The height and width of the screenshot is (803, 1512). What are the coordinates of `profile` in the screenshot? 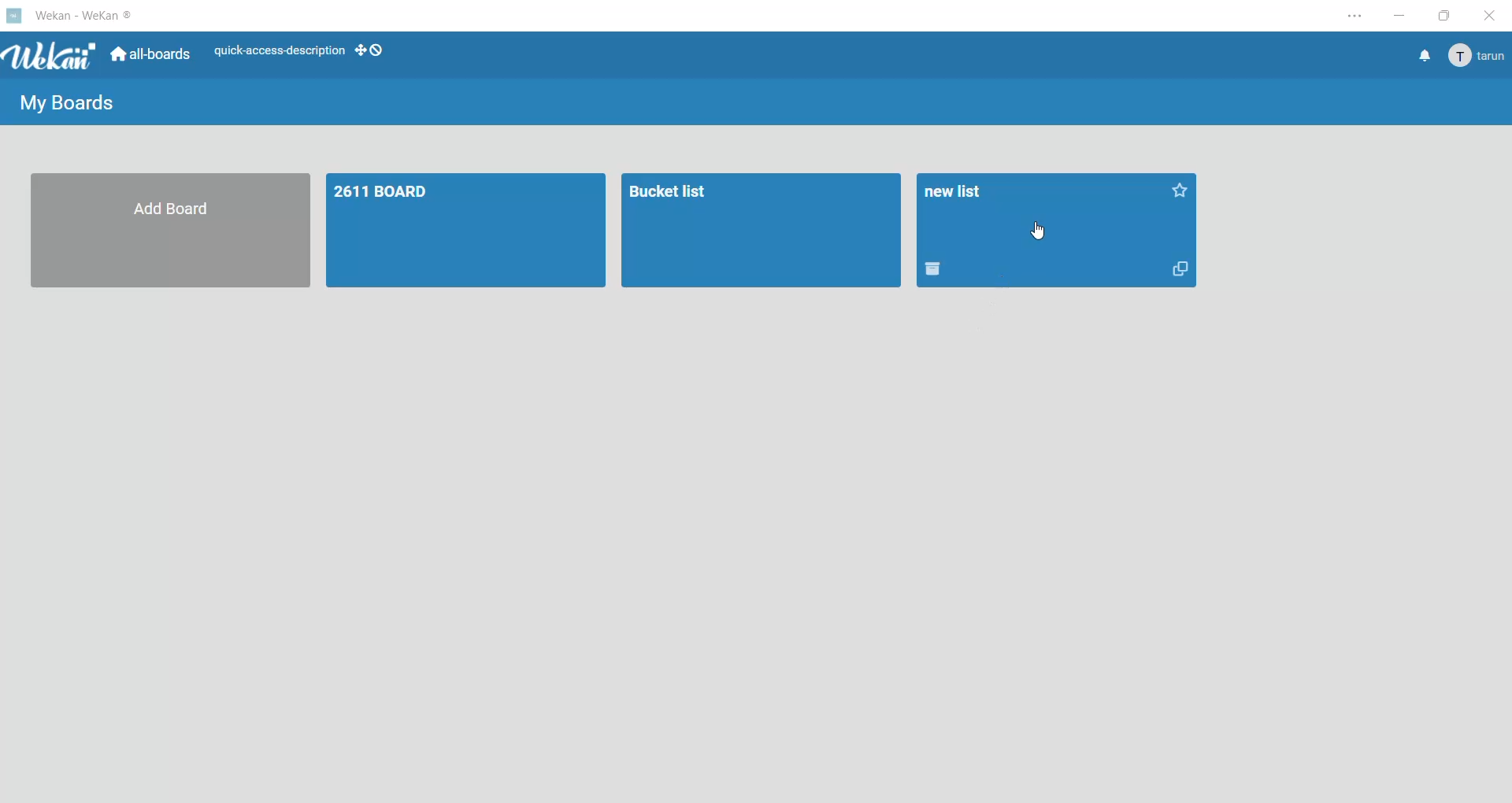 It's located at (1479, 57).